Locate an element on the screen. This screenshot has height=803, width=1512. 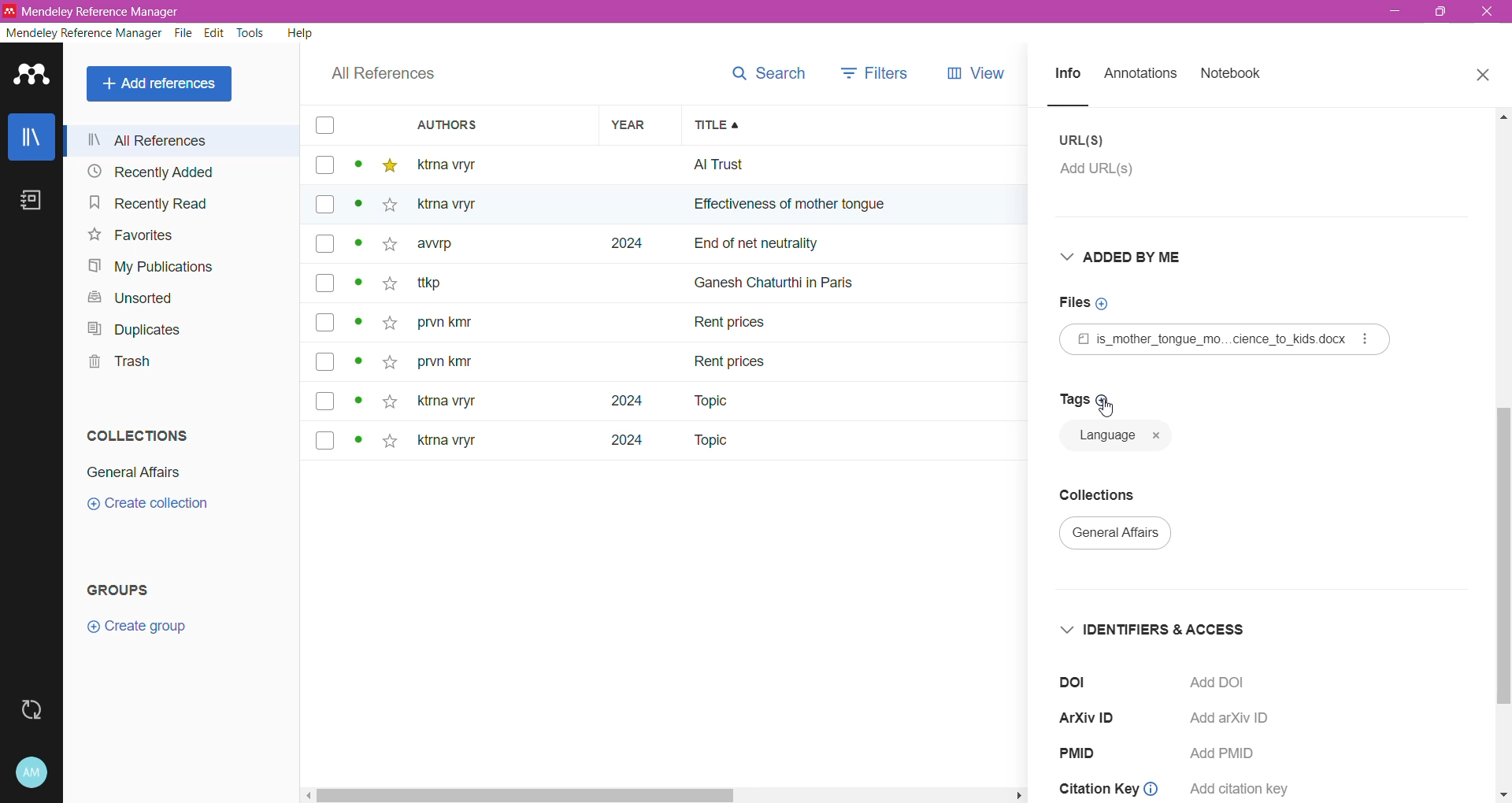
Library is located at coordinates (31, 136).